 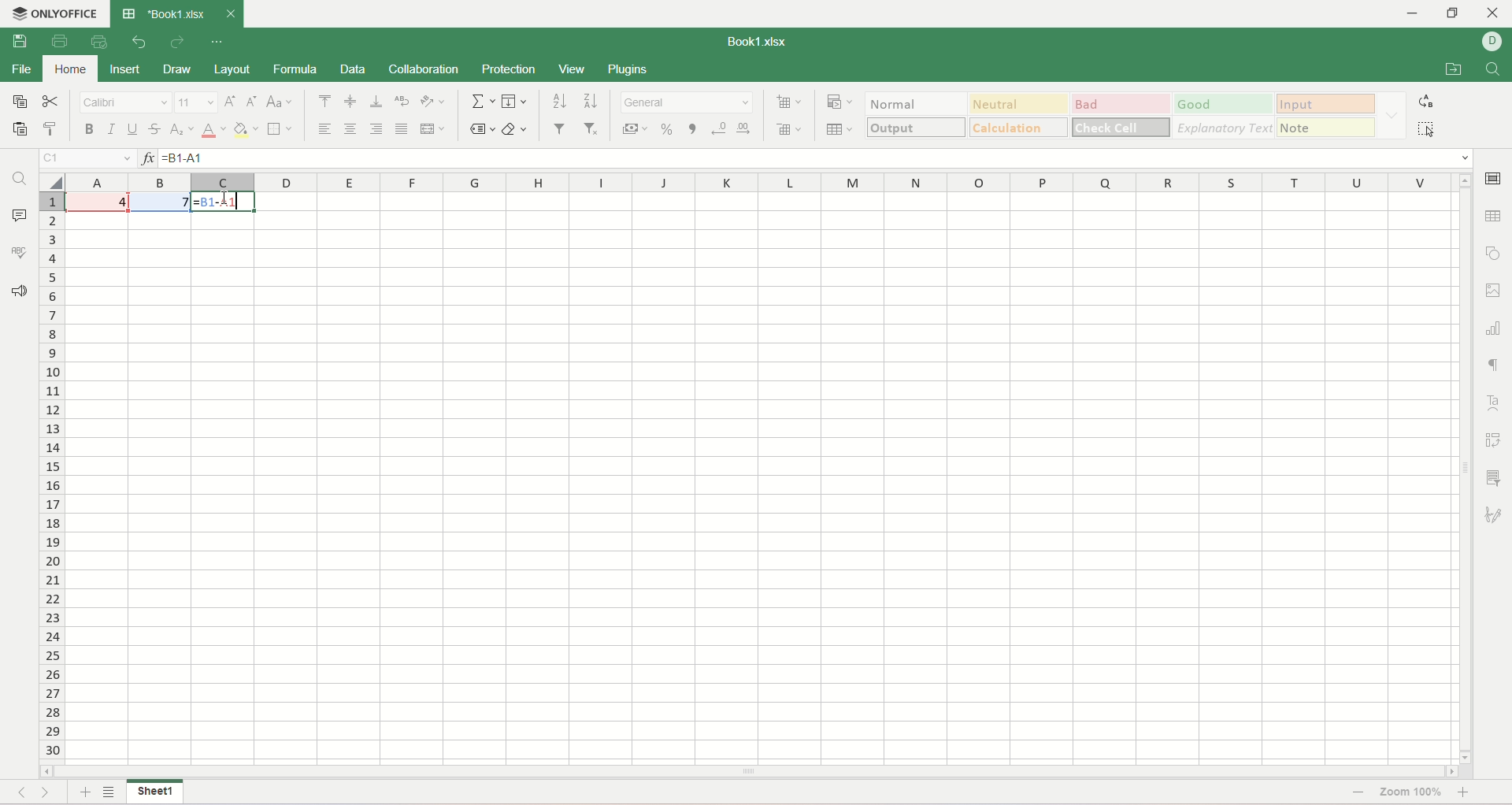 What do you see at coordinates (817, 159) in the screenshot?
I see `input line` at bounding box center [817, 159].